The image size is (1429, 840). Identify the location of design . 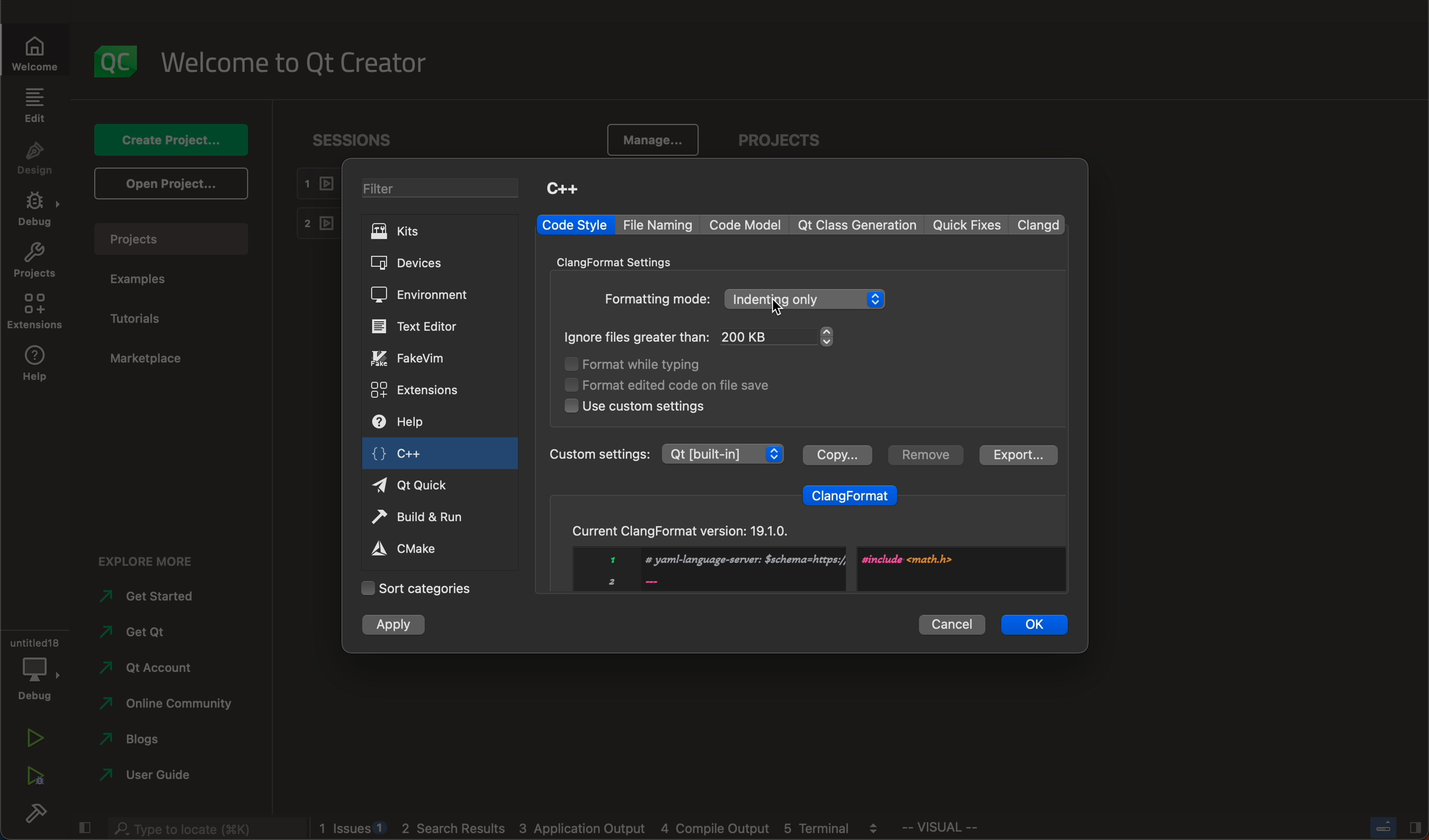
(35, 159).